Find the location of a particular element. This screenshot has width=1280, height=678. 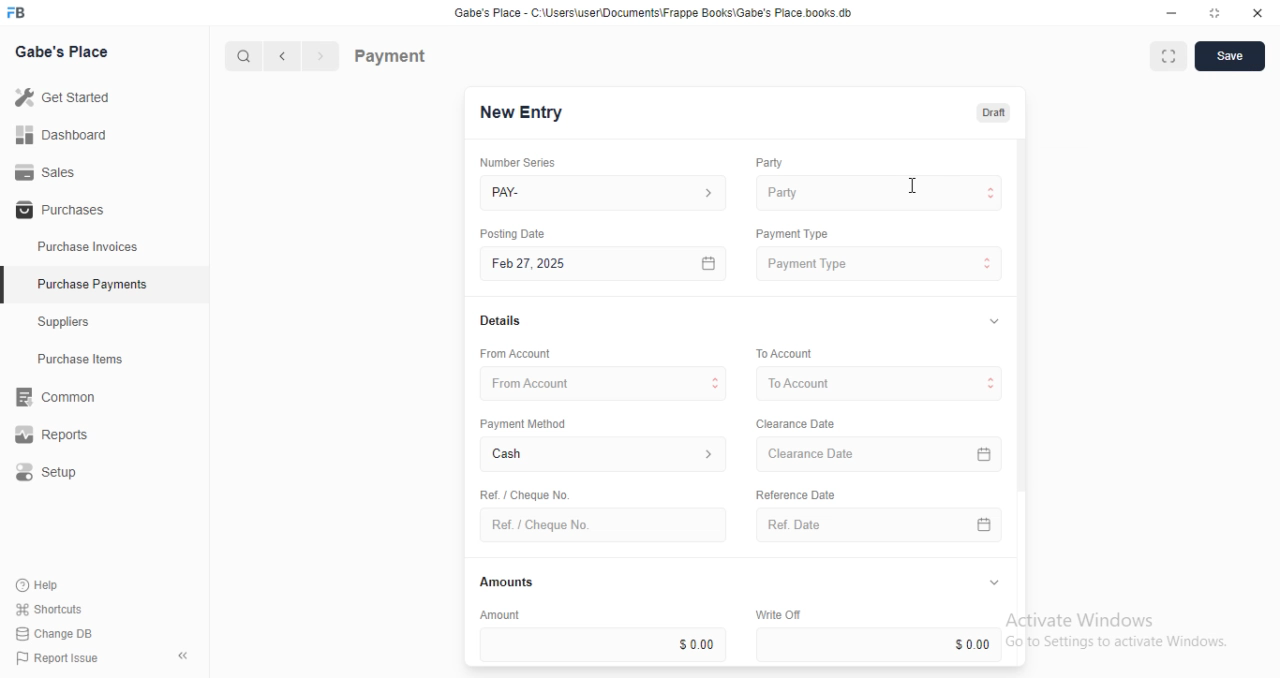

cursor is located at coordinates (915, 184).